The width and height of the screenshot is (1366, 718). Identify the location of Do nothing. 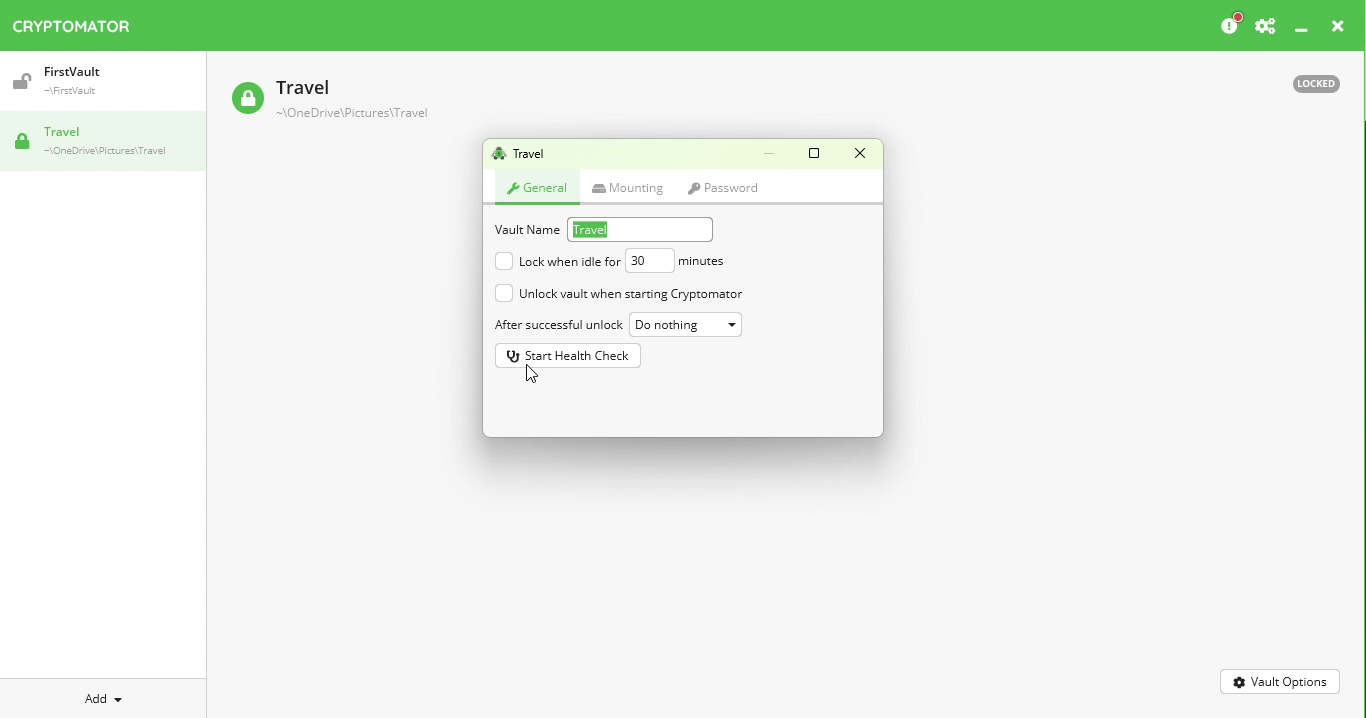
(686, 324).